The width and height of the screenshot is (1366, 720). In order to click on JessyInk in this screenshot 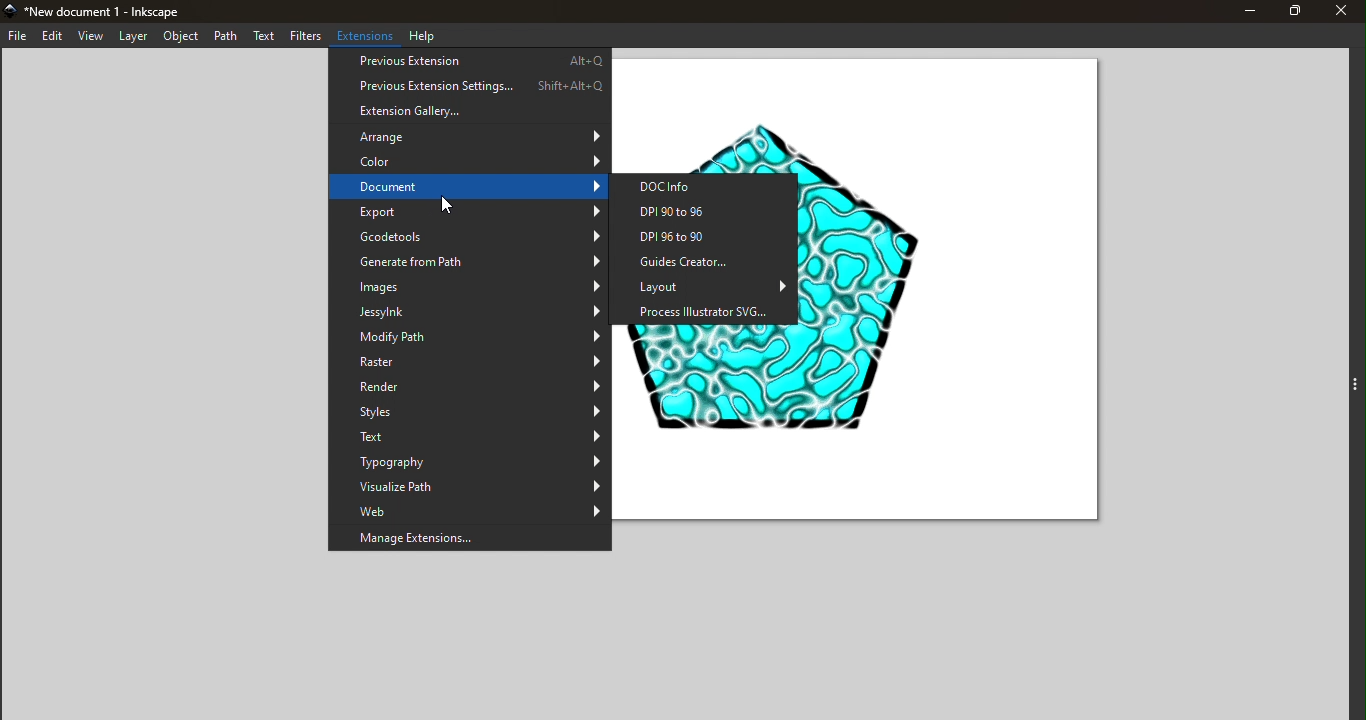, I will do `click(468, 311)`.